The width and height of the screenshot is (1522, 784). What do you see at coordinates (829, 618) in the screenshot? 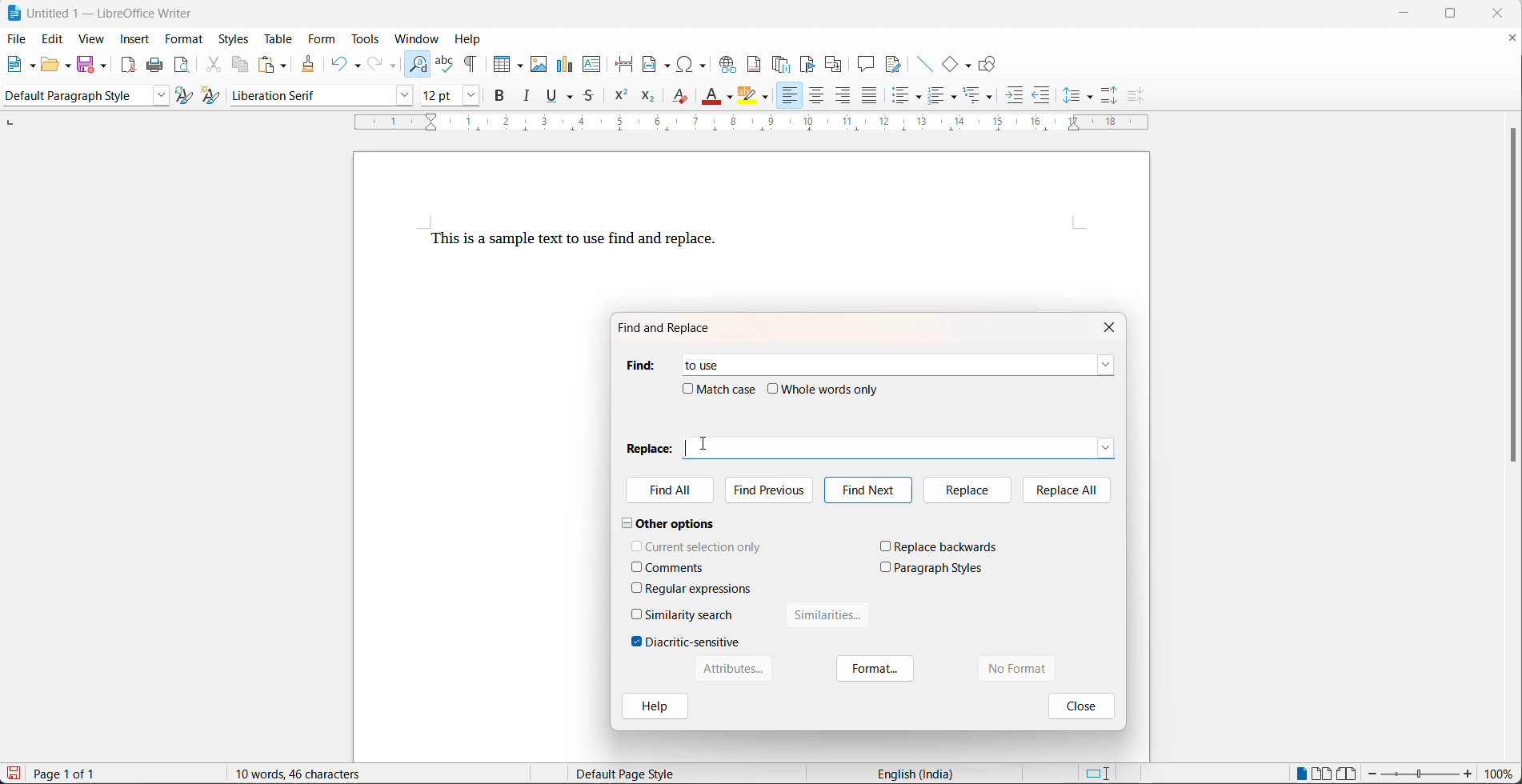
I see `similarities button` at bounding box center [829, 618].